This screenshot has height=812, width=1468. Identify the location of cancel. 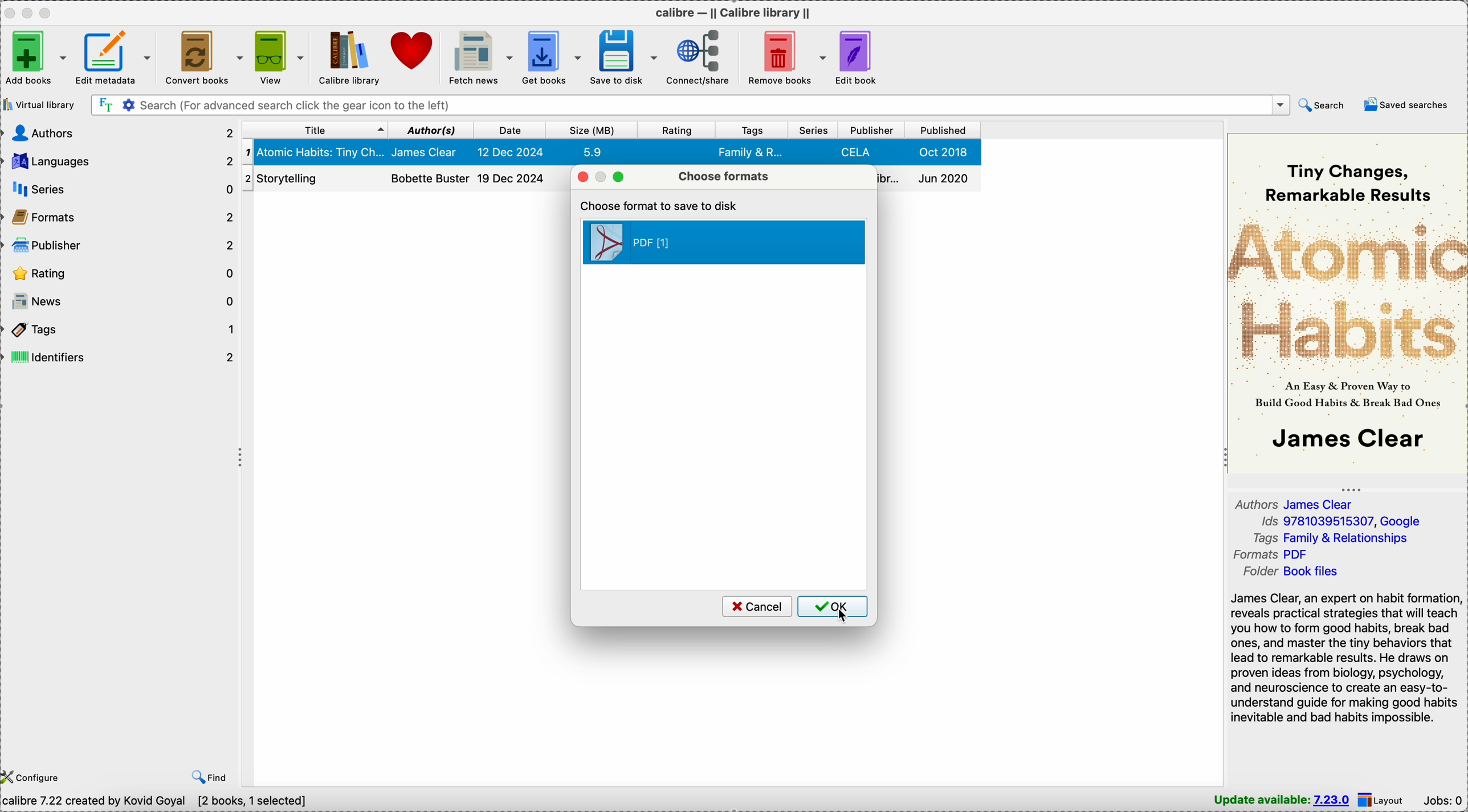
(755, 606).